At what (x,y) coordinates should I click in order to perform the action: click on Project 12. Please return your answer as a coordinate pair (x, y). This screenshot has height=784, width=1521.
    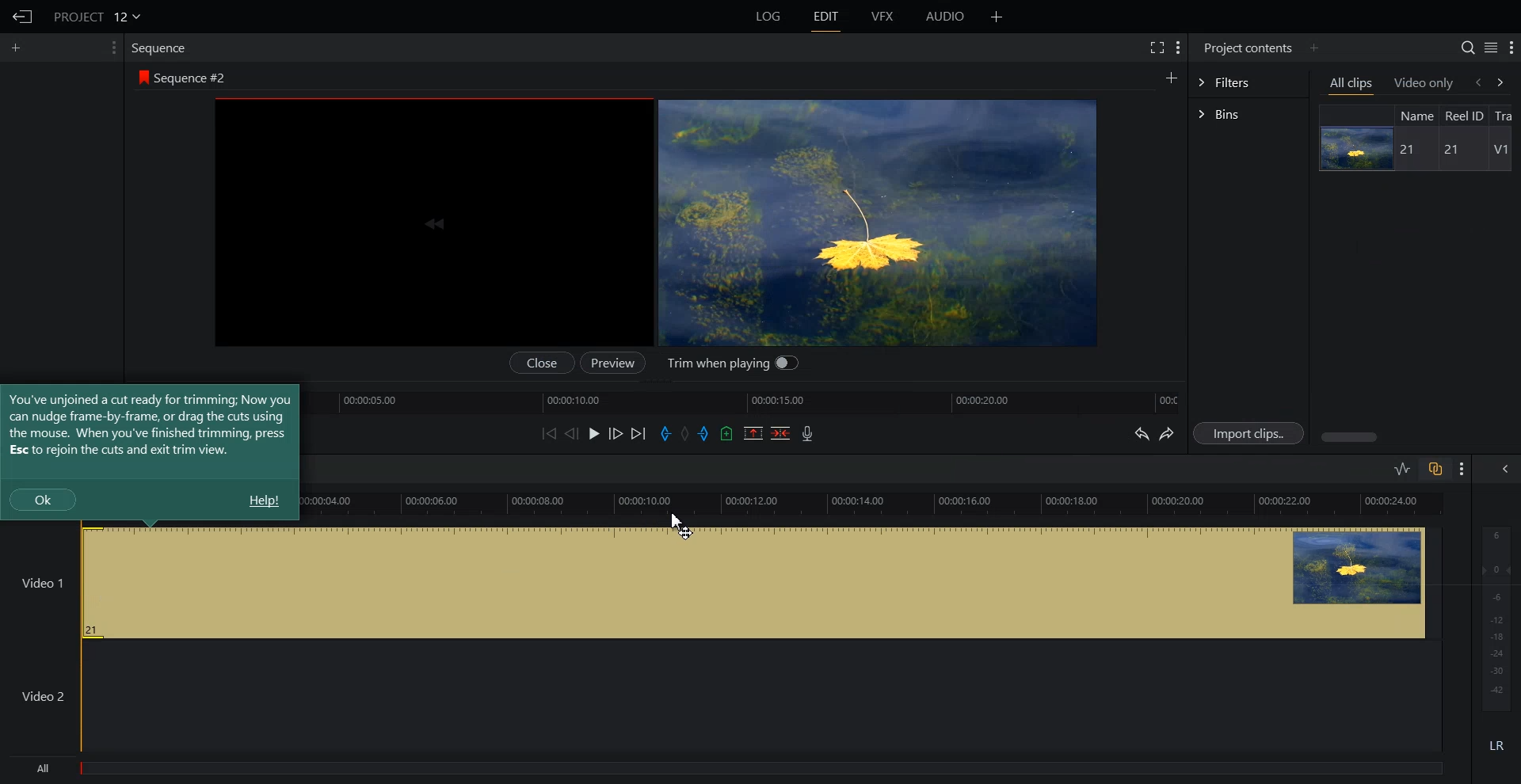
    Looking at the image, I should click on (96, 15).